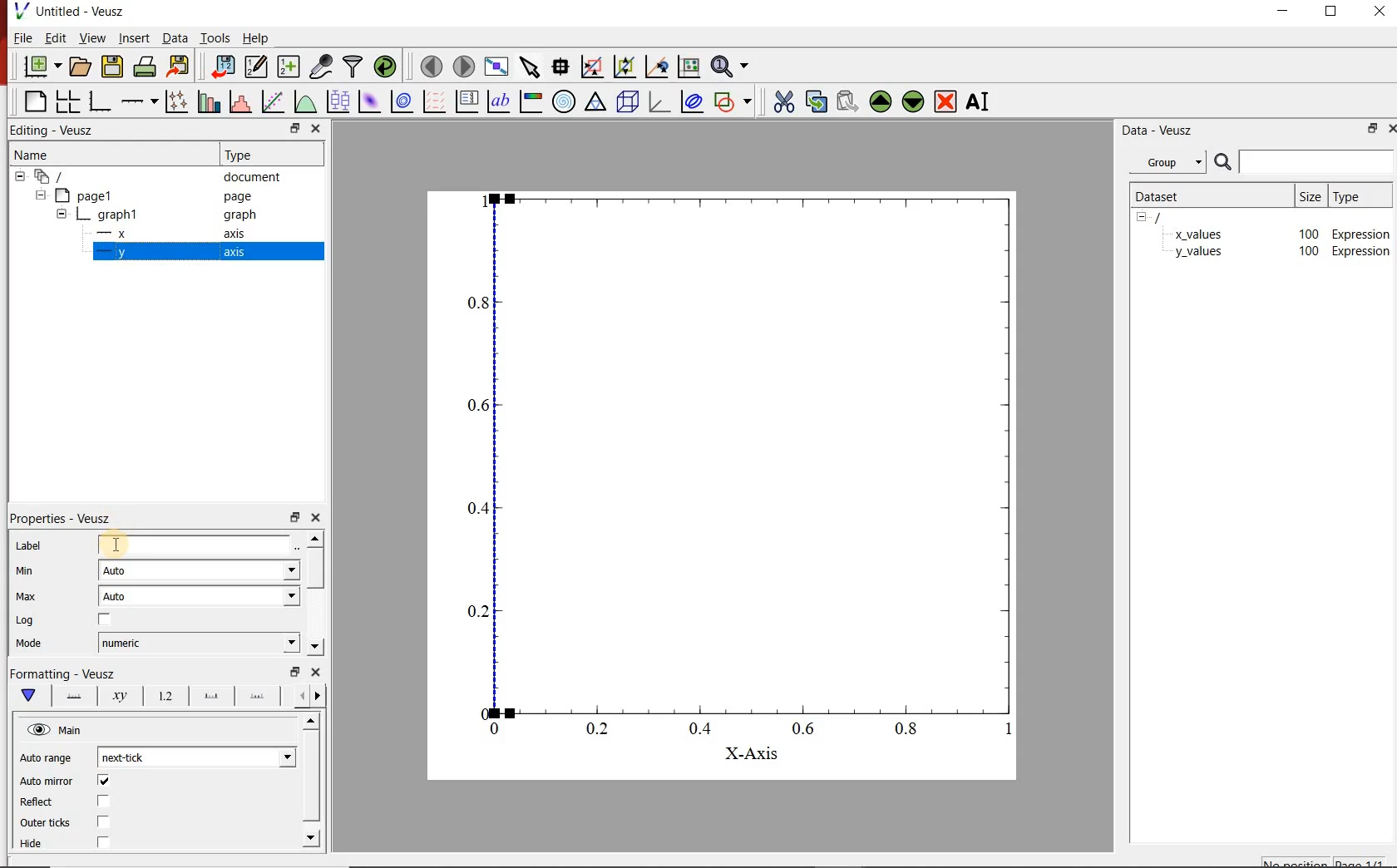 The width and height of the screenshot is (1397, 868). What do you see at coordinates (336, 101) in the screenshot?
I see `plot box plots` at bounding box center [336, 101].